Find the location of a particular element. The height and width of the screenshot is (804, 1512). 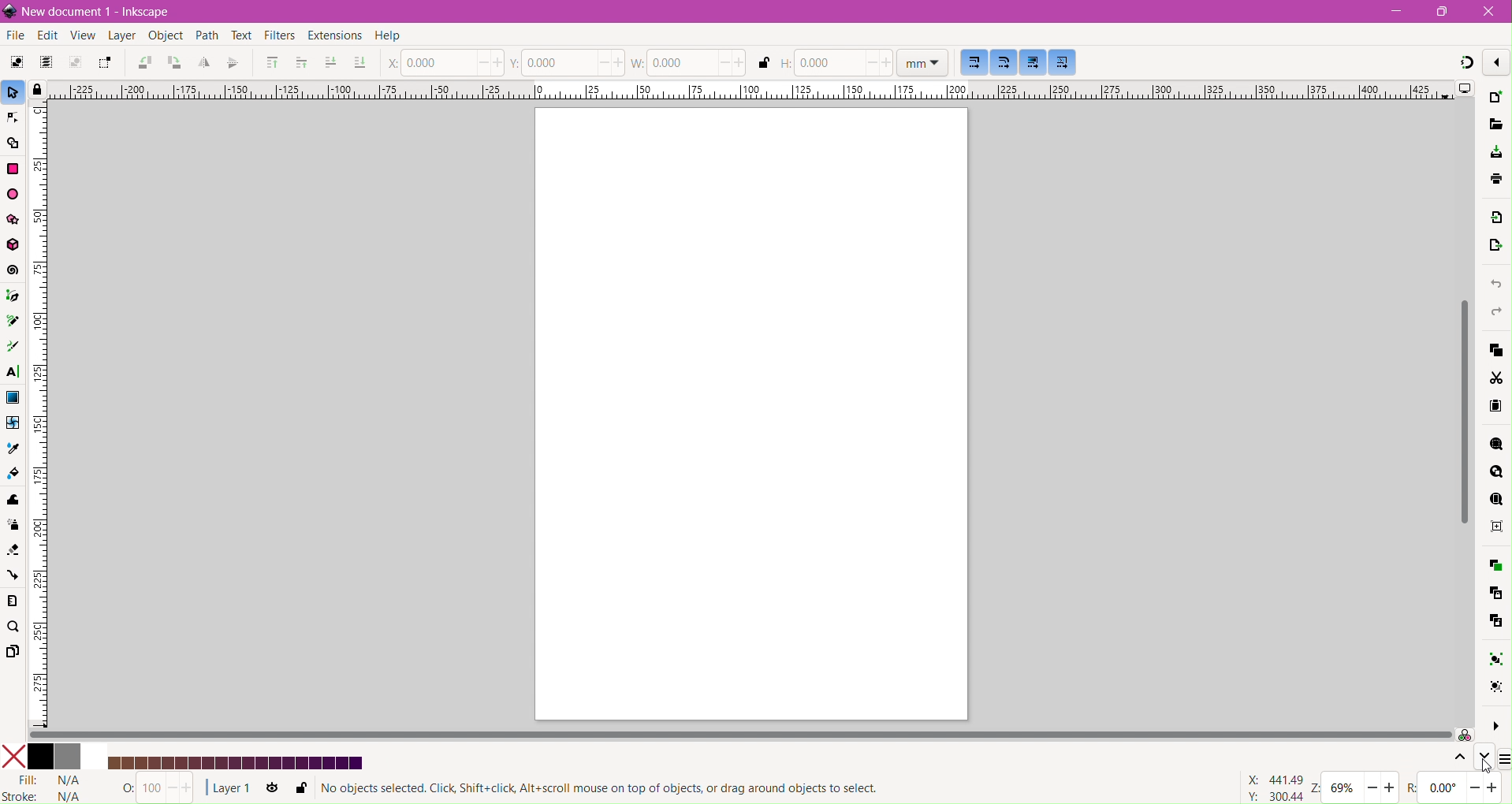

Selection Status is located at coordinates (604, 789).